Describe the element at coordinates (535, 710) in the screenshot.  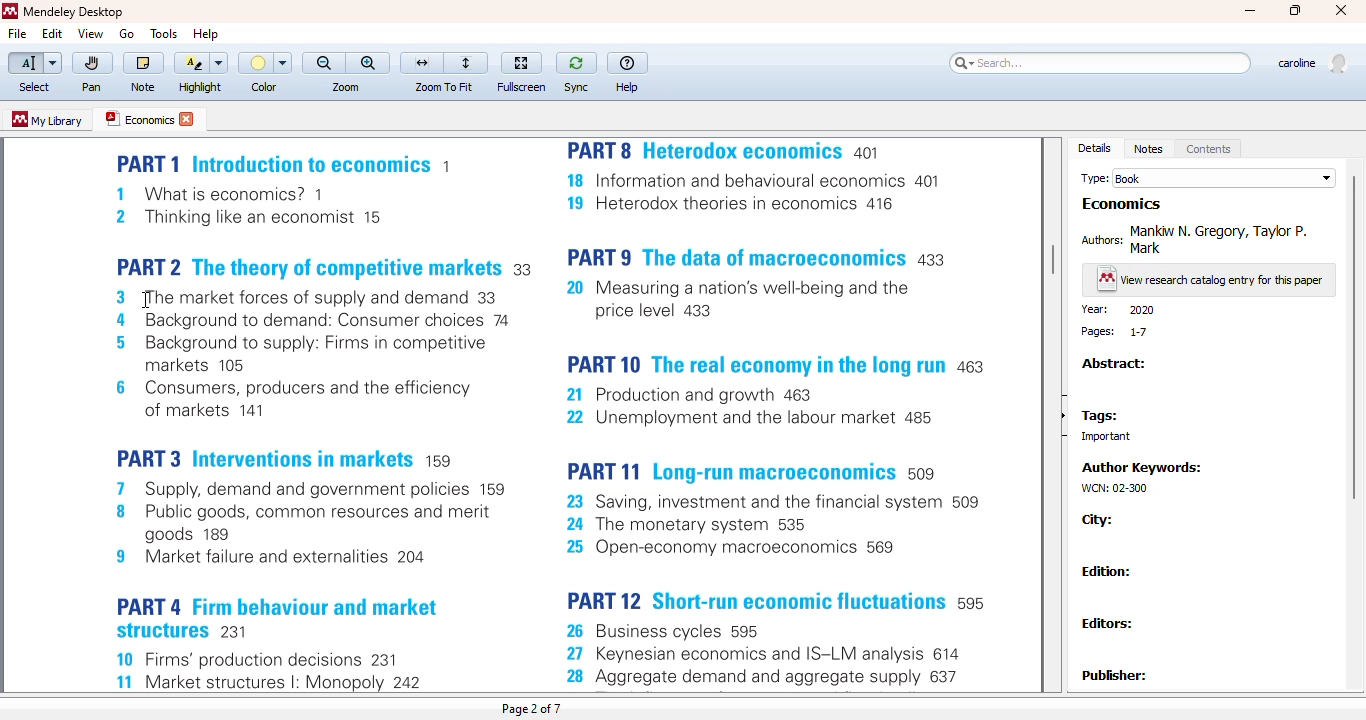
I see `Page 2 of 7` at that location.